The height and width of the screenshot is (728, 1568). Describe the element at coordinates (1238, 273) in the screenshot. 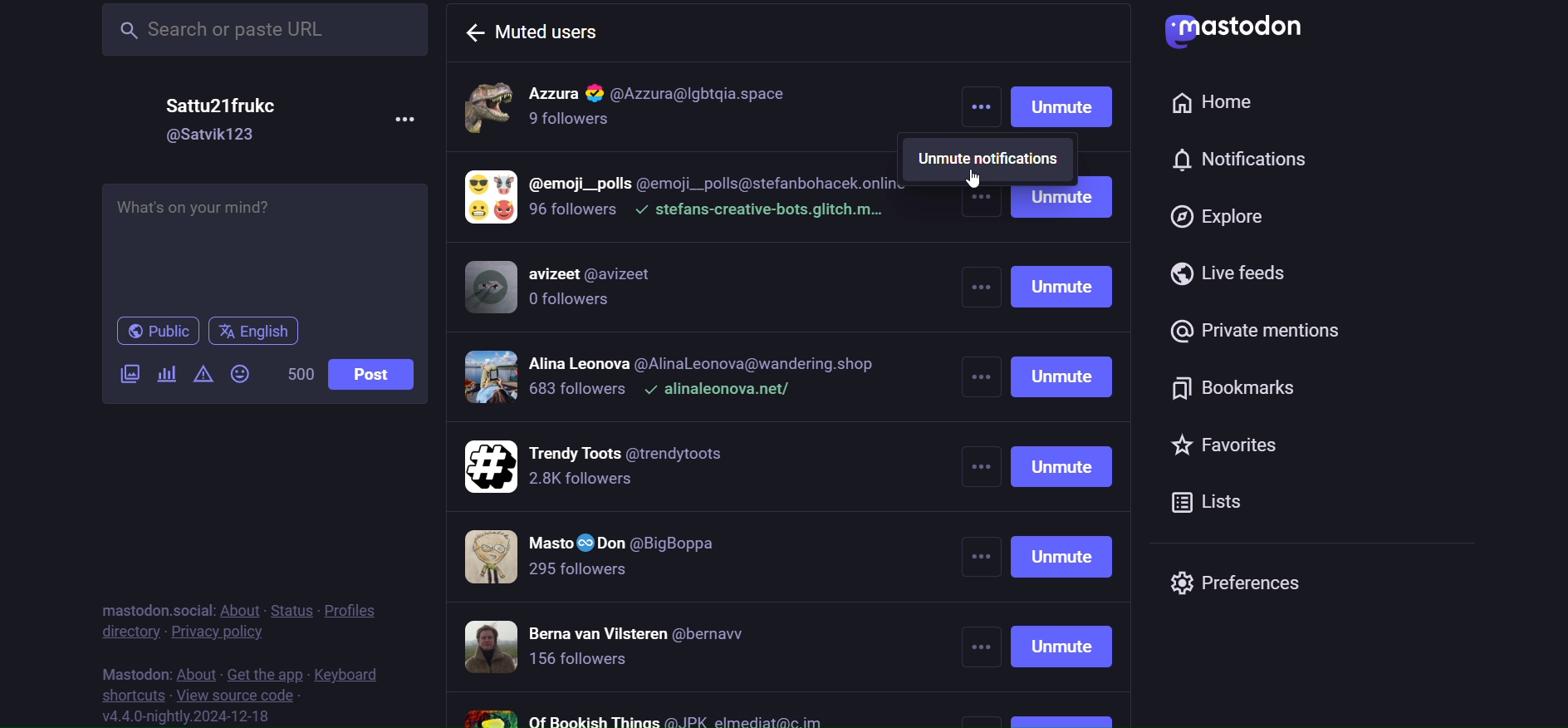

I see `live feed` at that location.